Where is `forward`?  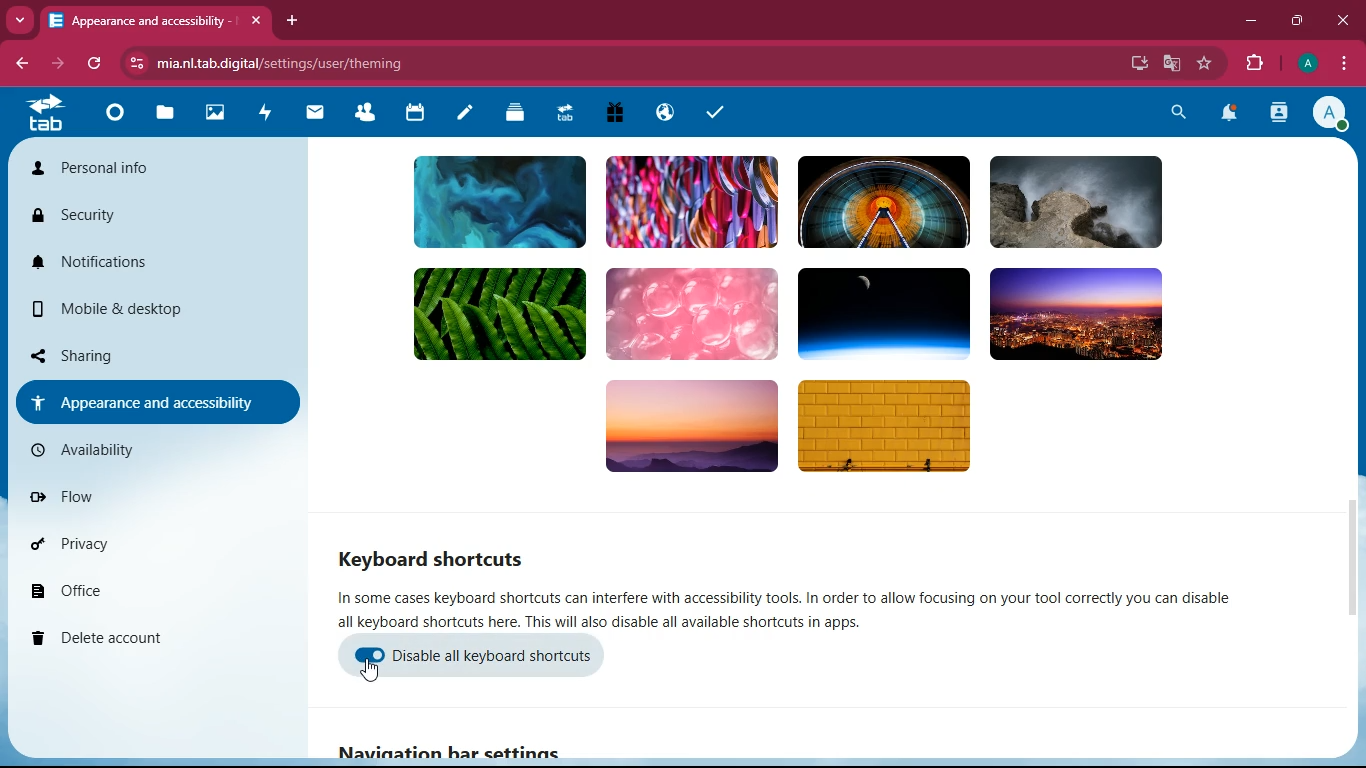 forward is located at coordinates (55, 62).